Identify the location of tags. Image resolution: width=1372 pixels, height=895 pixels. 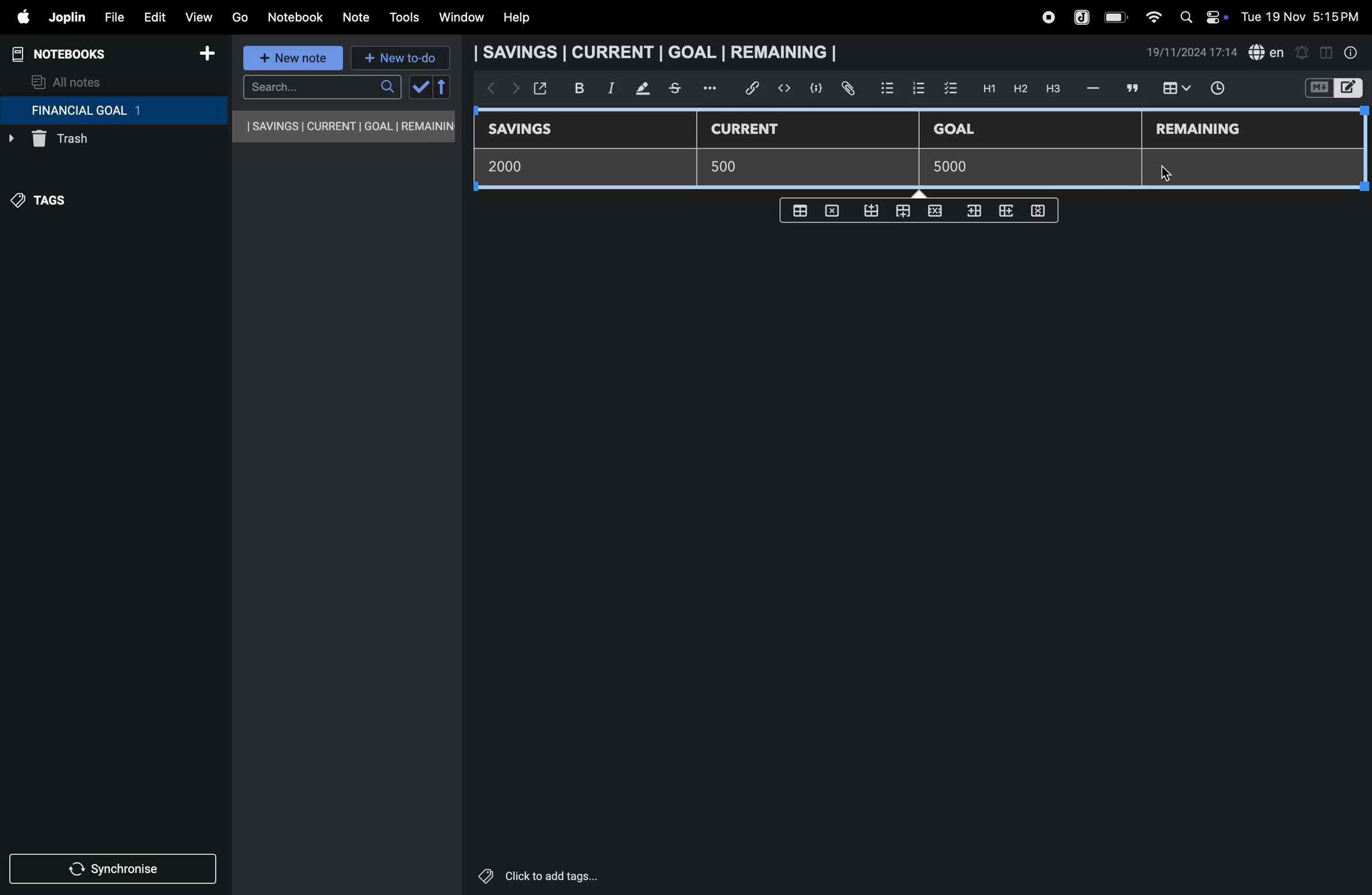
(47, 206).